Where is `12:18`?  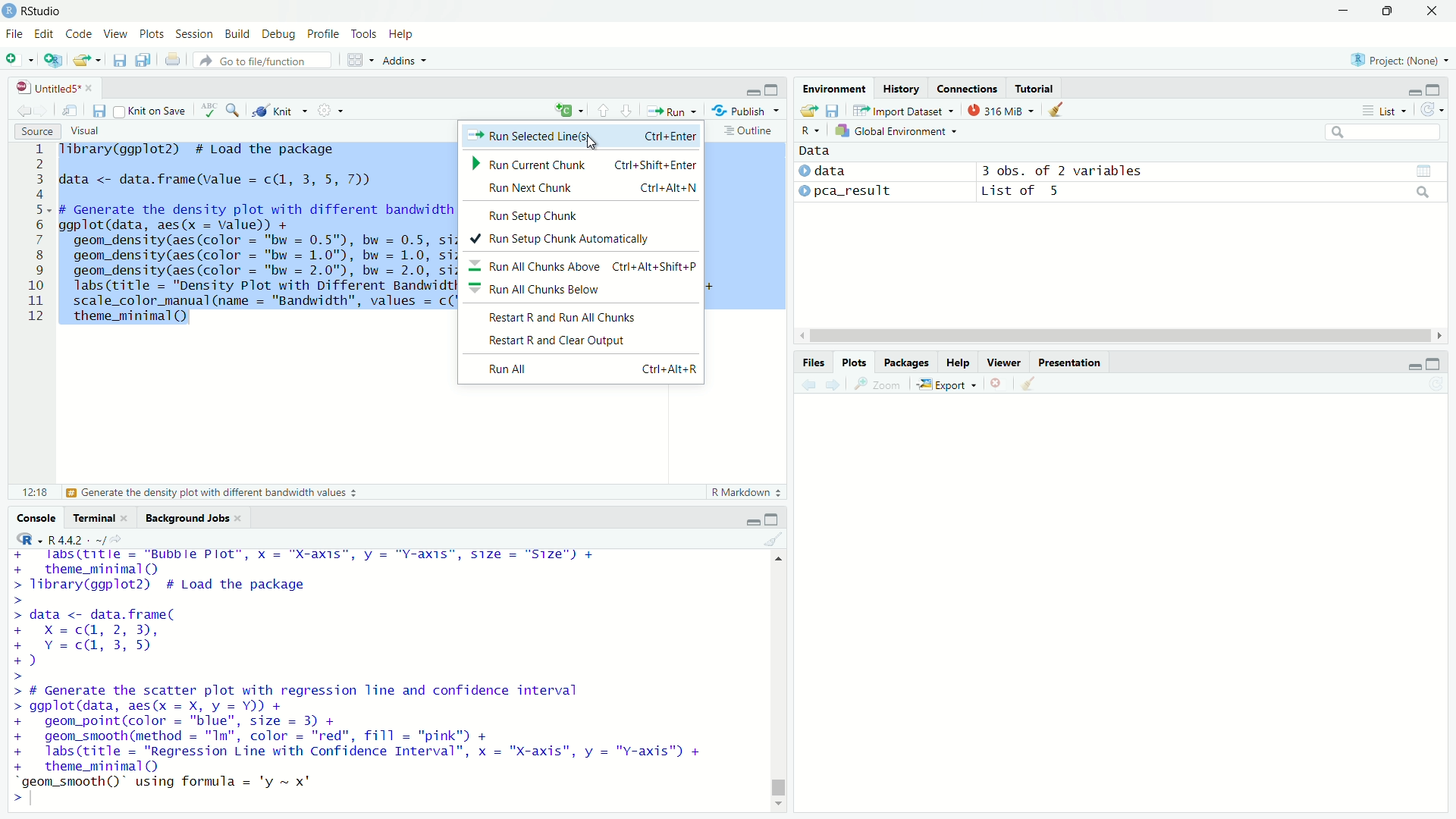 12:18 is located at coordinates (35, 491).